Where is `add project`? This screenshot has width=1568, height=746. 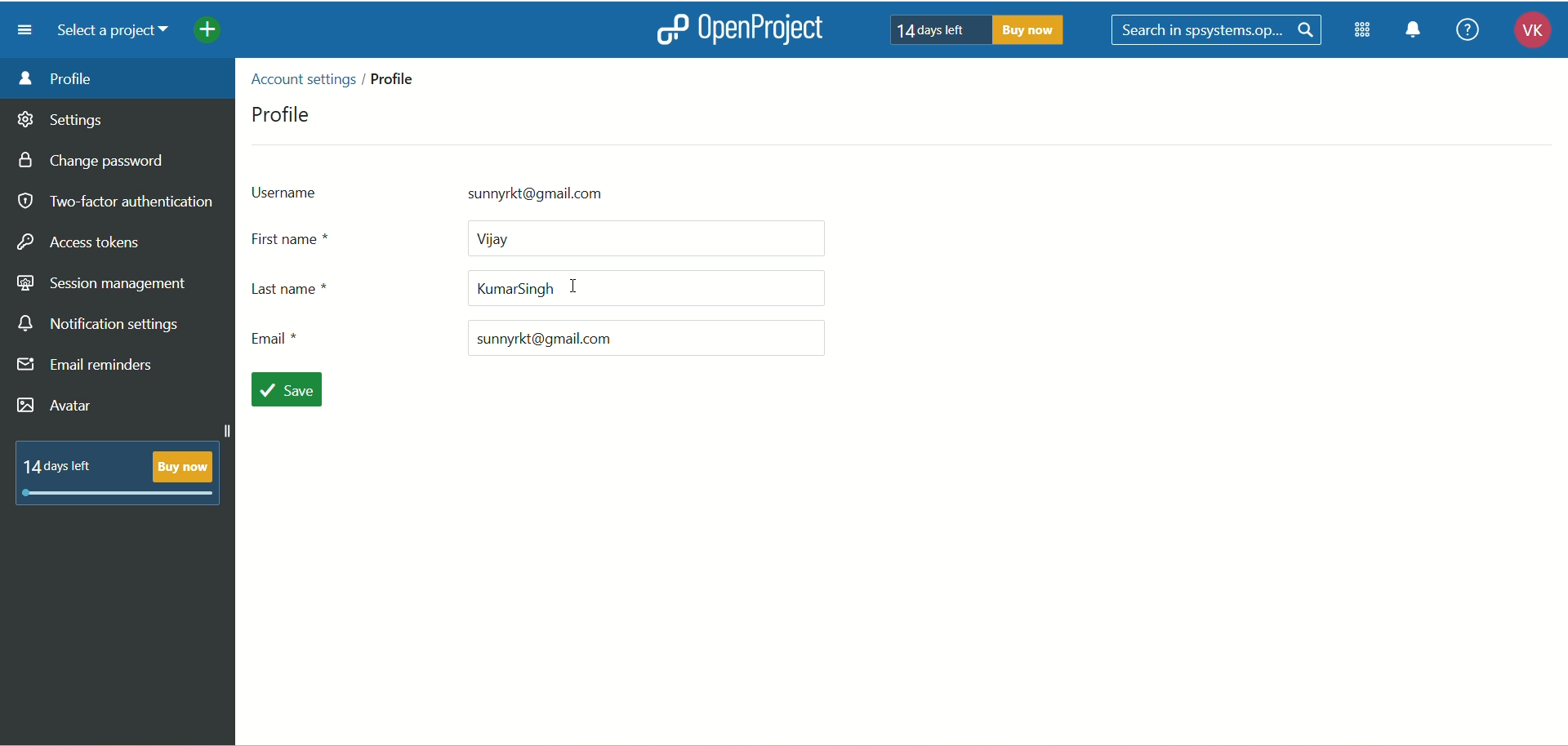 add project is located at coordinates (219, 33).